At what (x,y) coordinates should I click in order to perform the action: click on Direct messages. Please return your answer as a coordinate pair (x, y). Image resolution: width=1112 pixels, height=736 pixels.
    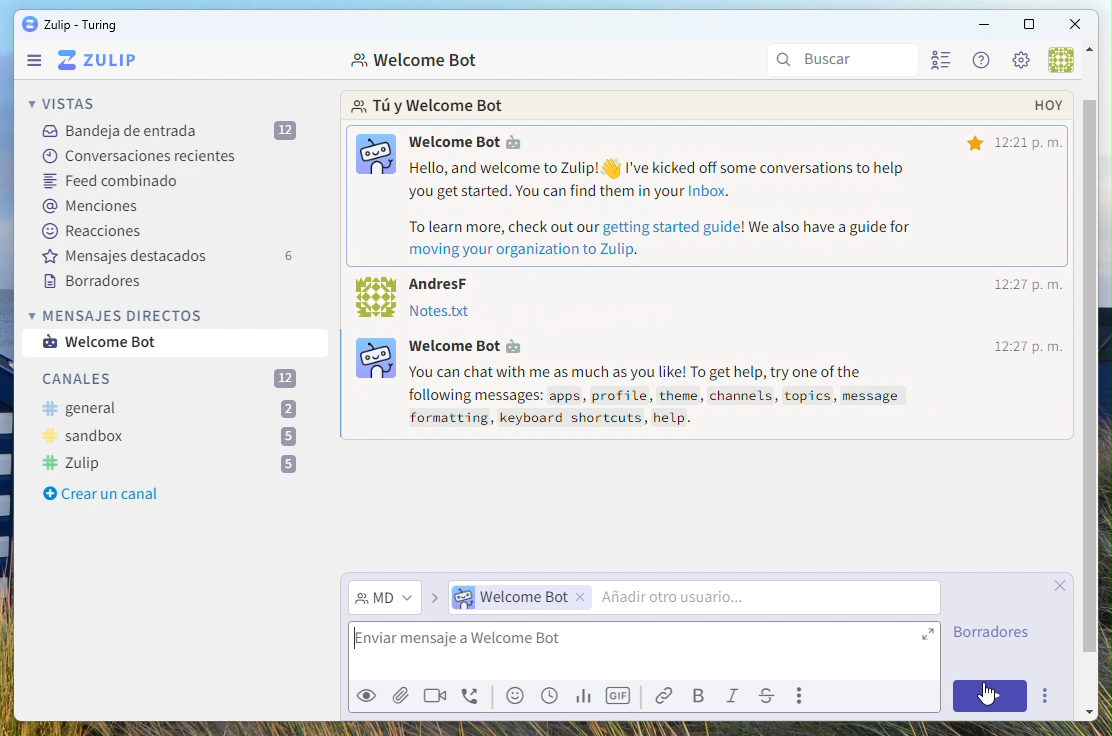
    Looking at the image, I should click on (119, 315).